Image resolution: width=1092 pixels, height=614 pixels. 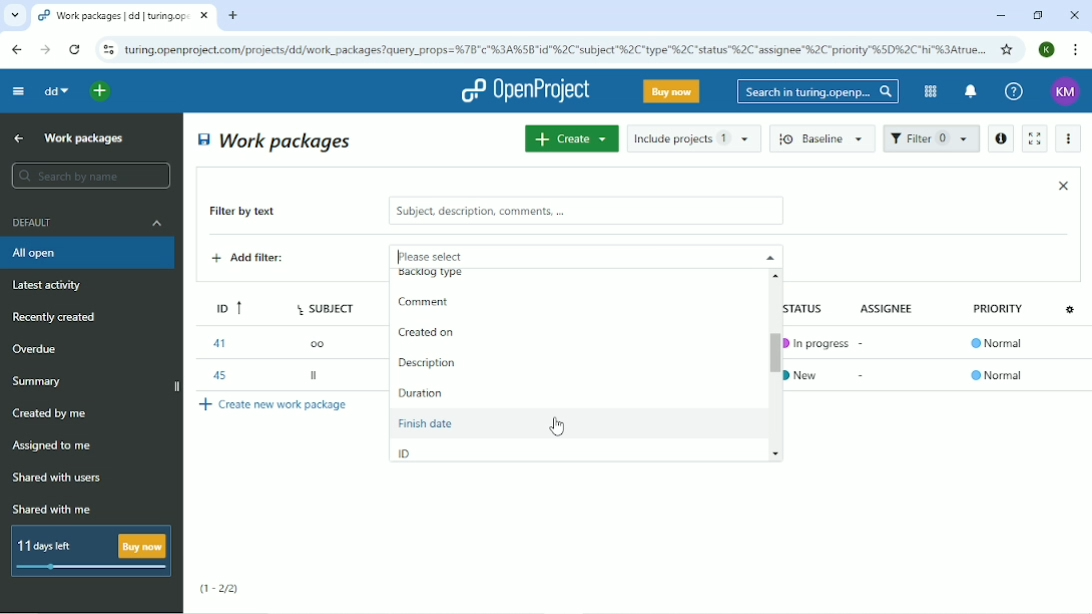 I want to click on -, so click(x=864, y=340).